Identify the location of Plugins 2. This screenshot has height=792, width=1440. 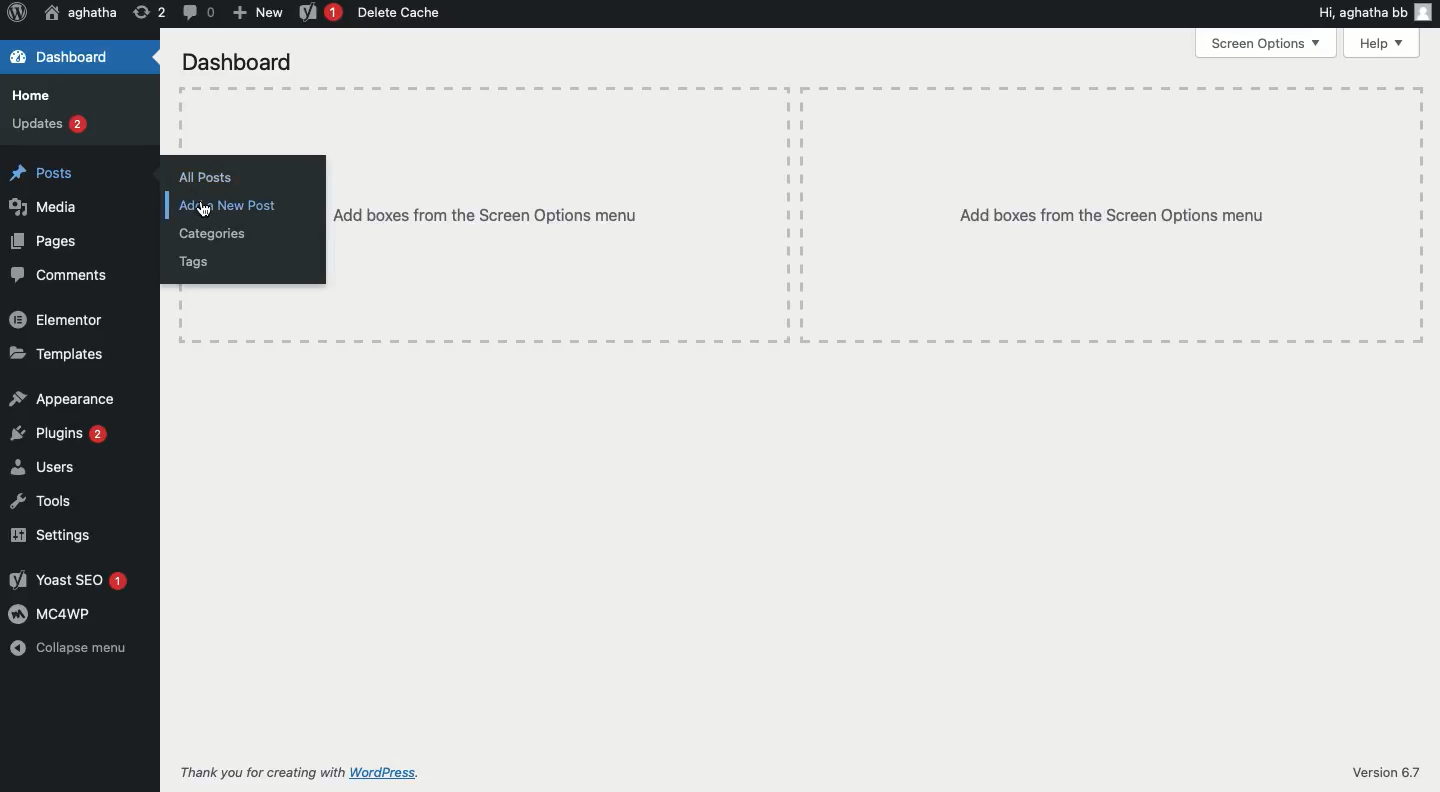
(59, 432).